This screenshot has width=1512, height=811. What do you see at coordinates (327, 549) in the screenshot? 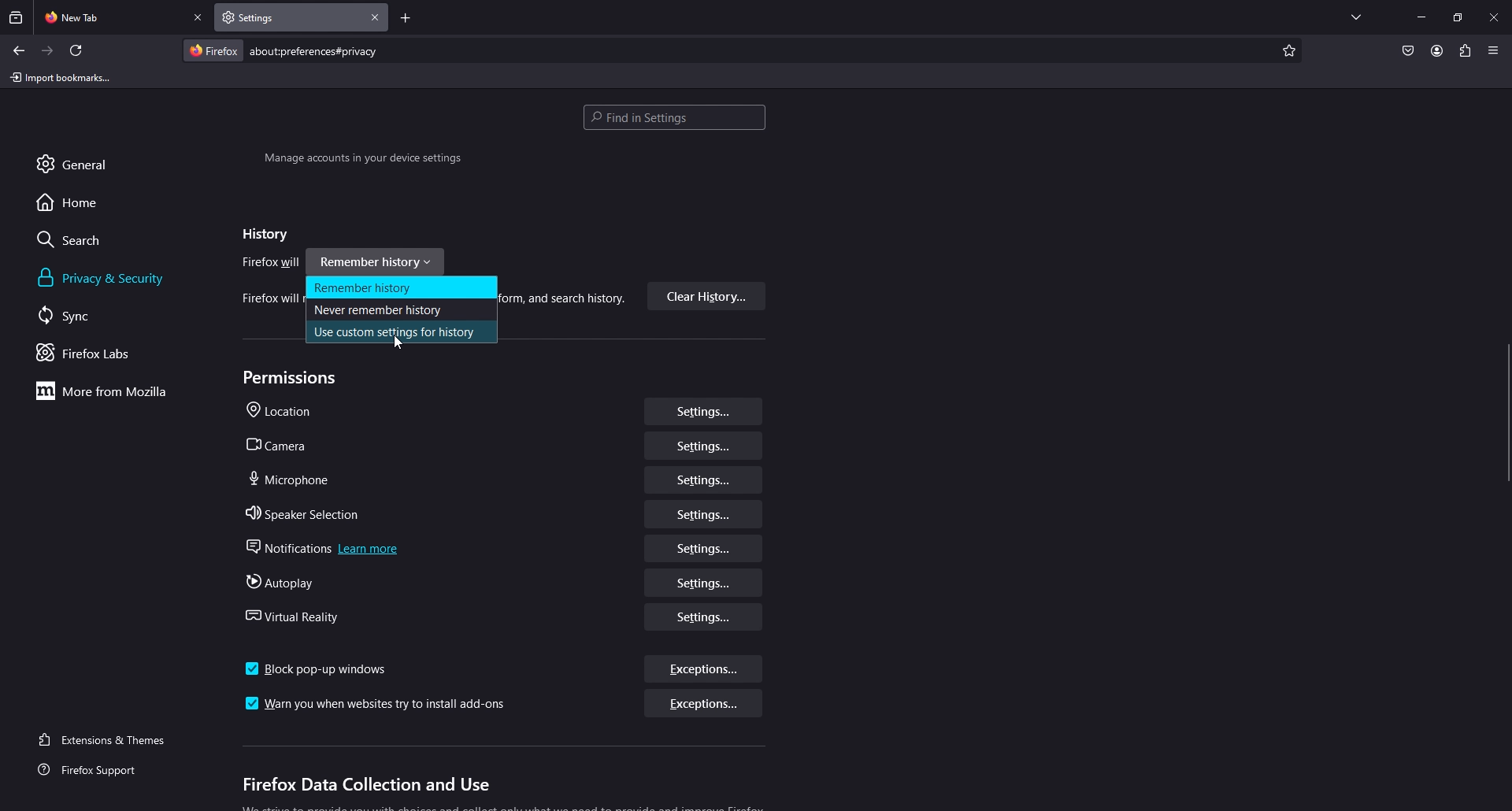
I see `notifications` at bounding box center [327, 549].